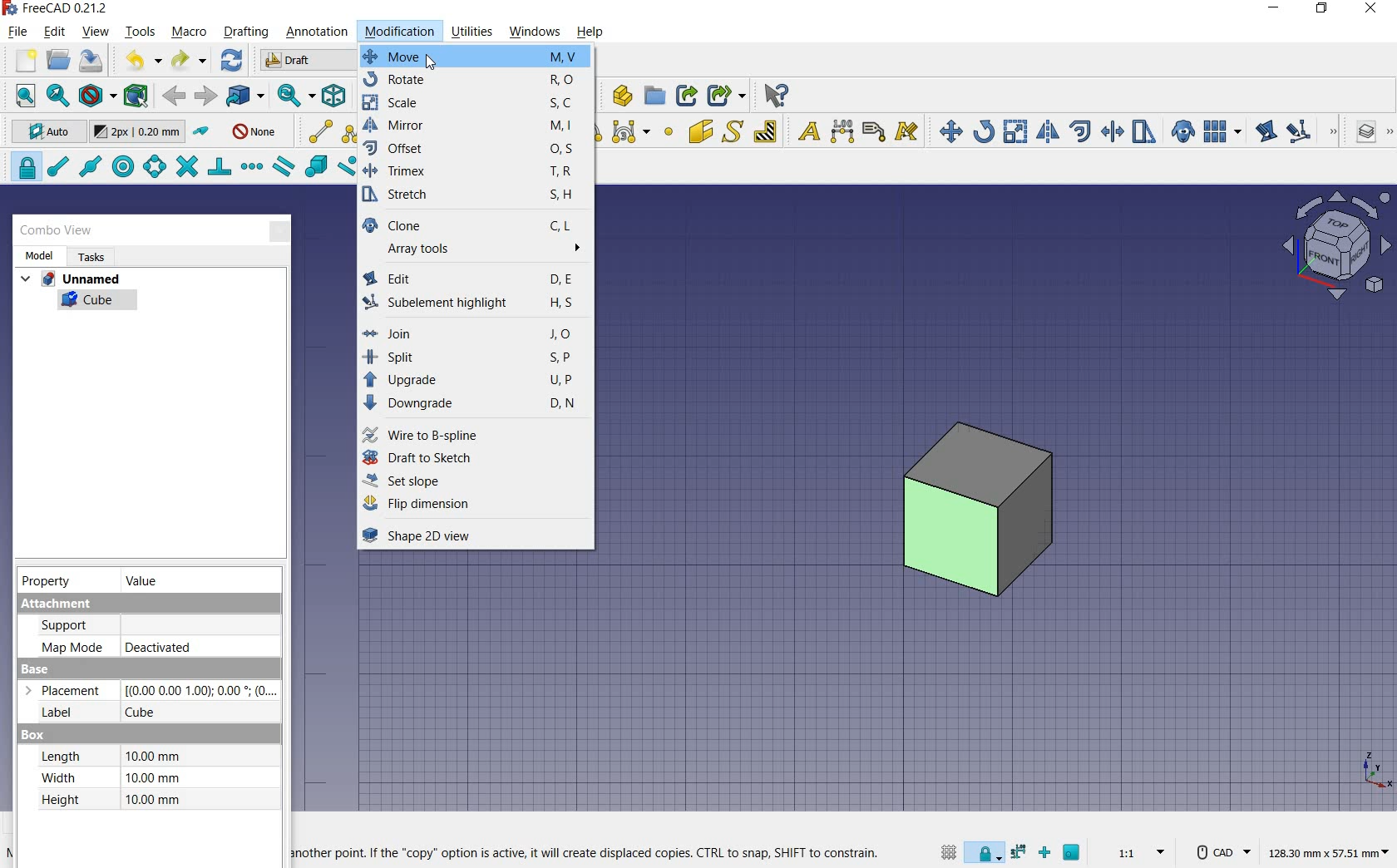  Describe the element at coordinates (1183, 132) in the screenshot. I see `clone` at that location.